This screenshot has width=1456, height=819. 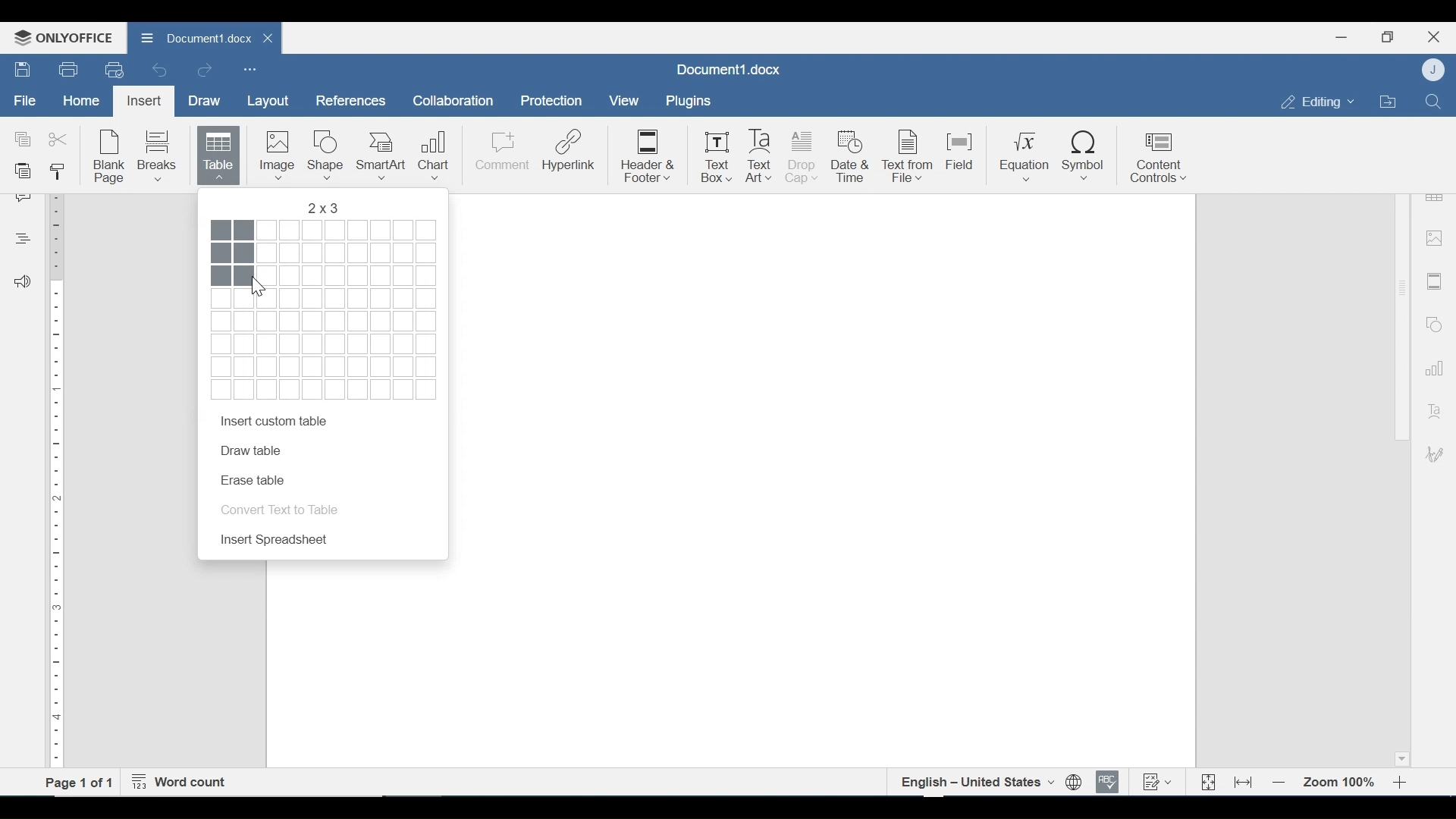 I want to click on Header & Footer, so click(x=648, y=158).